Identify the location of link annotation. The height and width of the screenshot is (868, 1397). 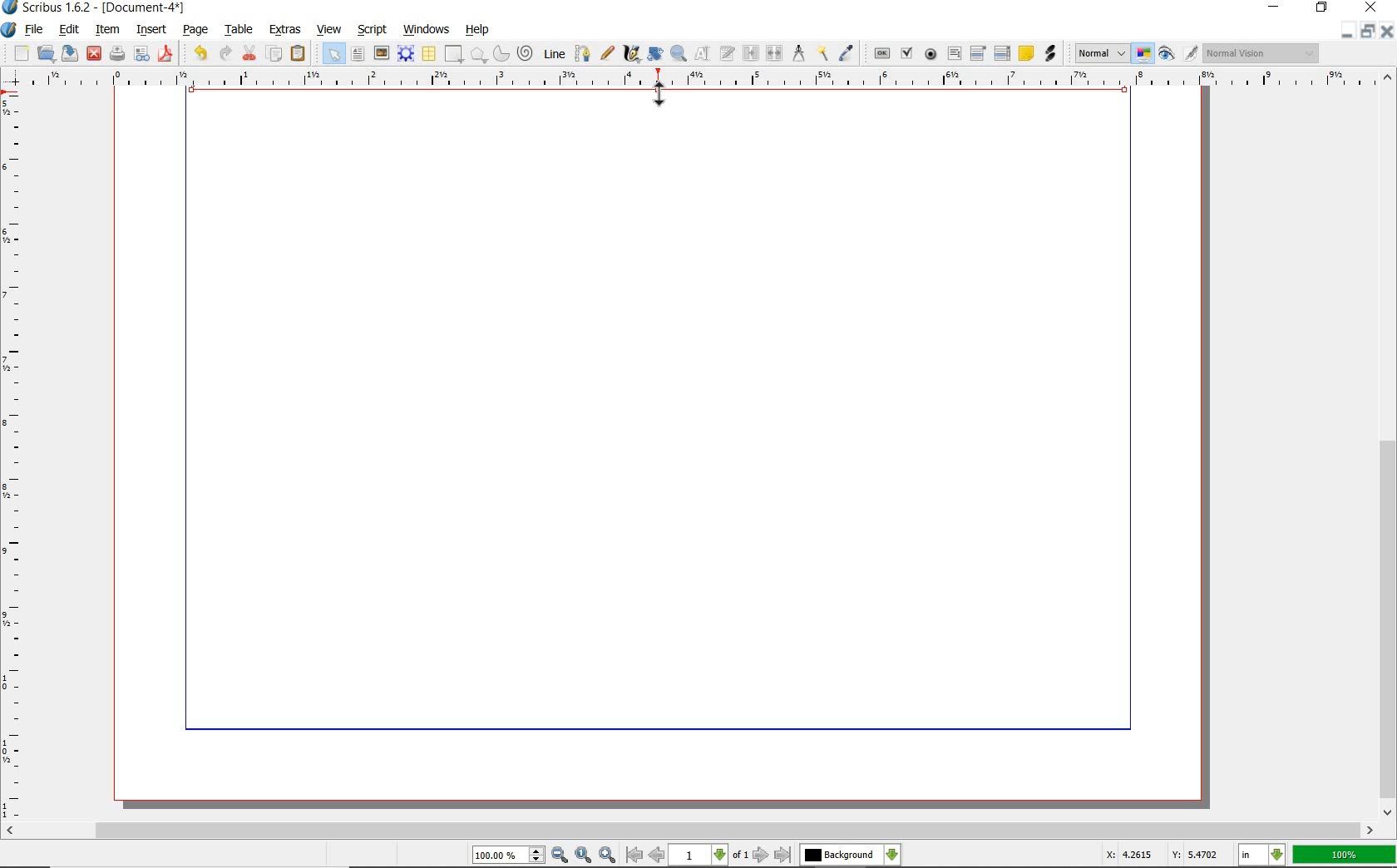
(1049, 55).